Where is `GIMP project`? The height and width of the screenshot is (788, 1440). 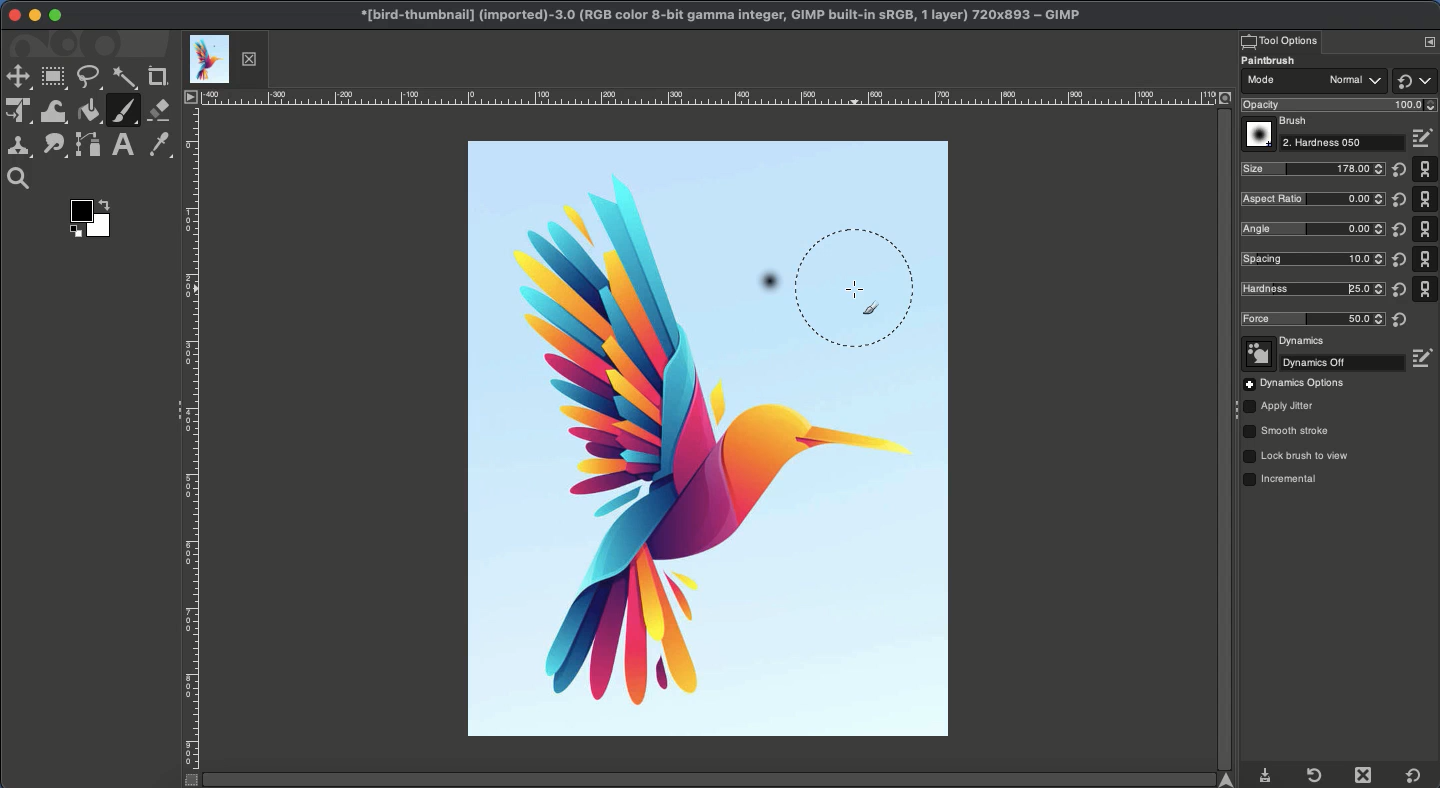
GIMP project is located at coordinates (719, 15).